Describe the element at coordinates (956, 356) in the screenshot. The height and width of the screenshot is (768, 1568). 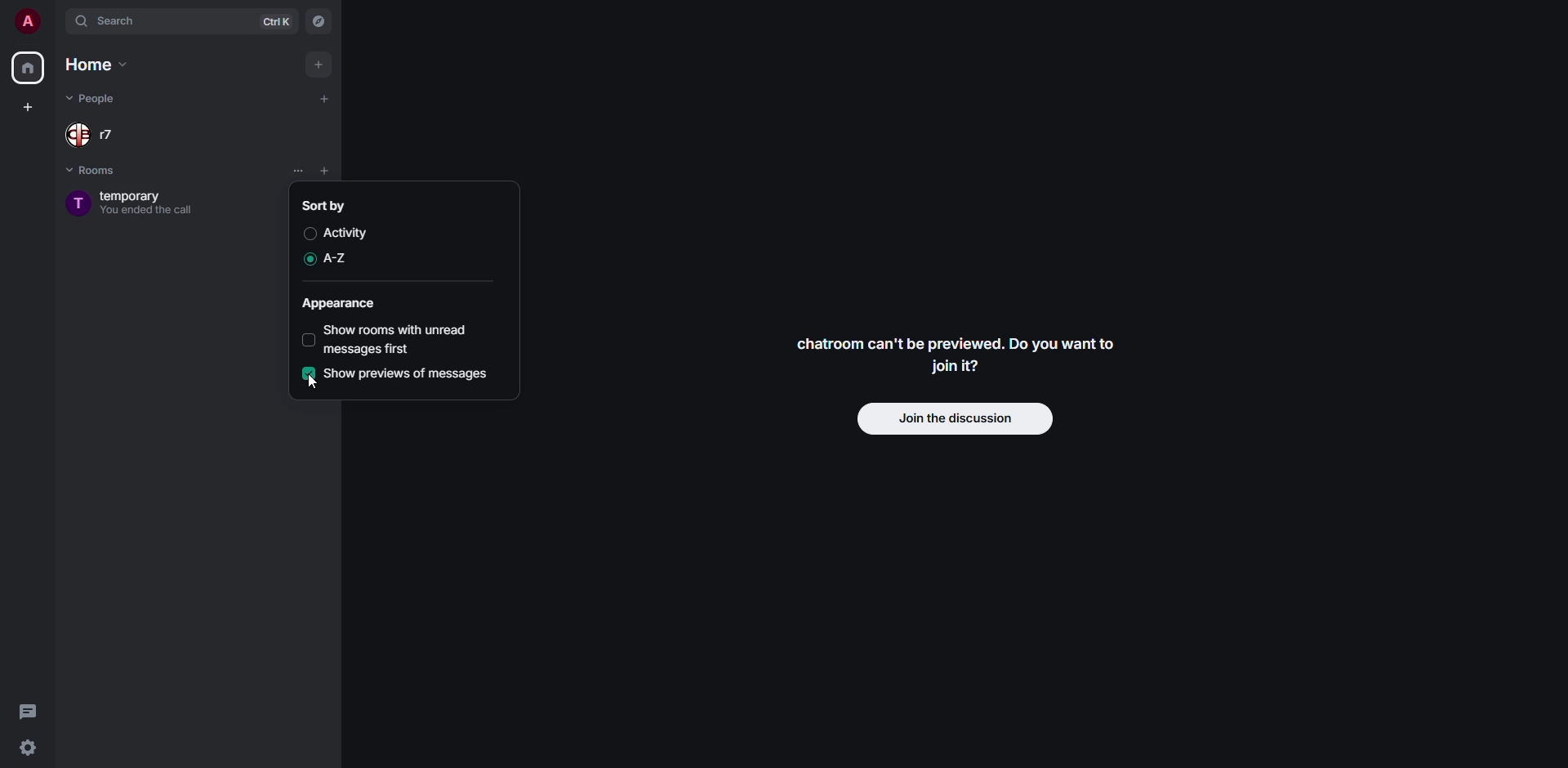
I see `chatroom can't be previewed.` at that location.